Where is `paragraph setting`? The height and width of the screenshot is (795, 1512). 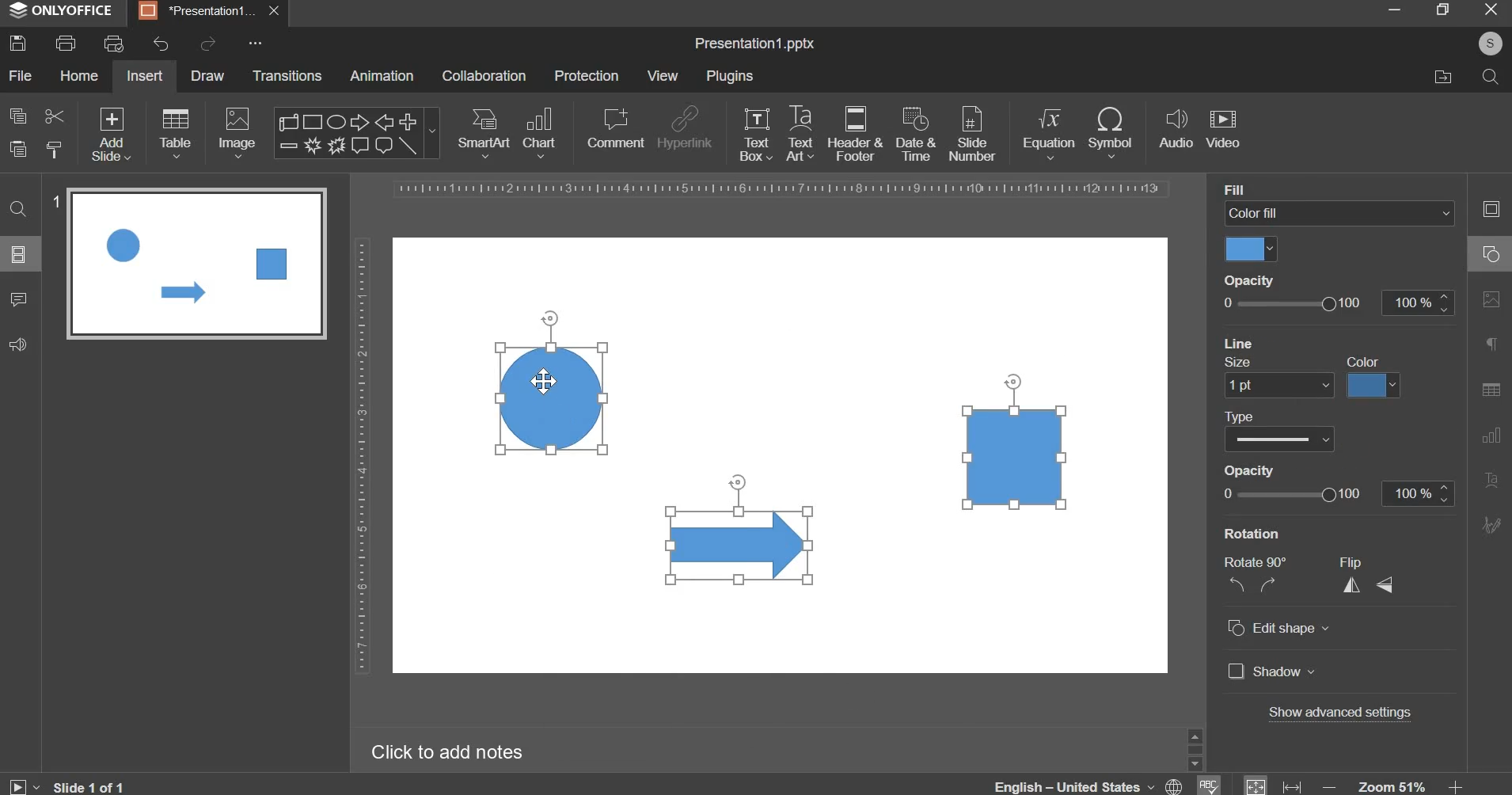
paragraph setting is located at coordinates (1492, 346).